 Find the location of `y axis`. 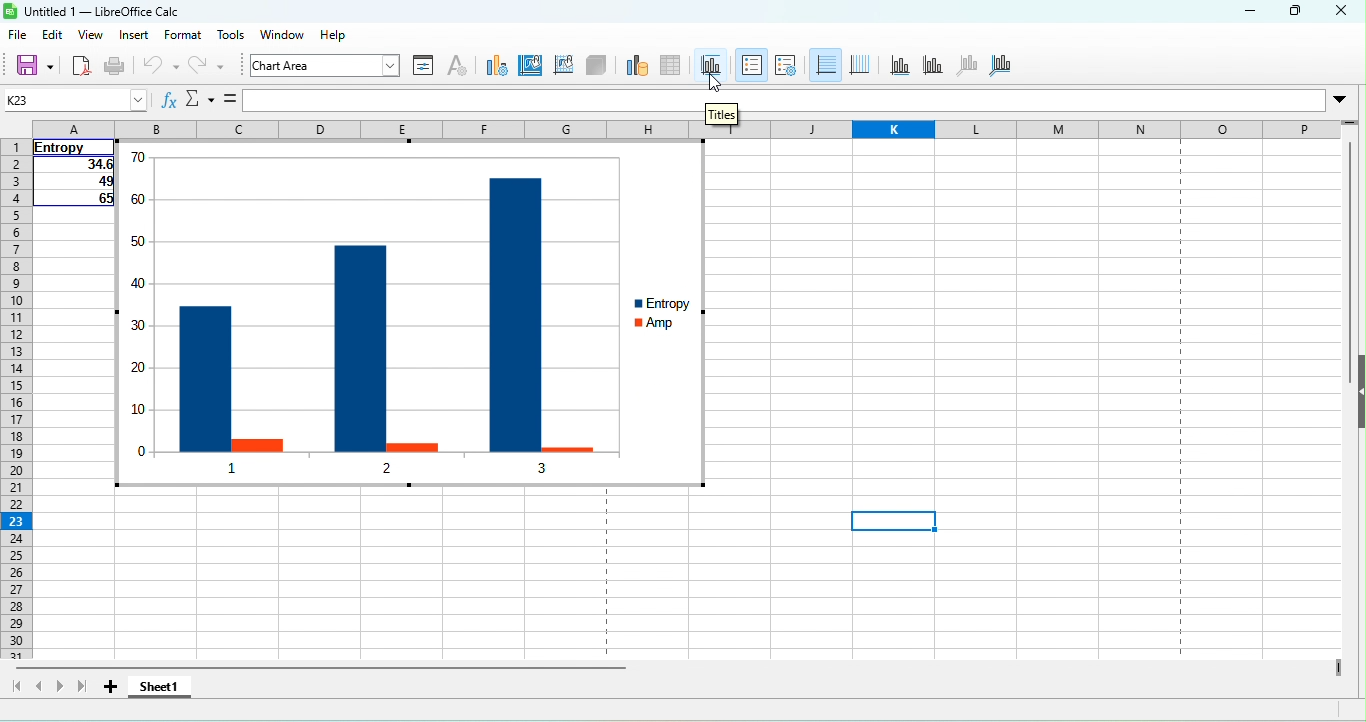

y axis is located at coordinates (931, 65).